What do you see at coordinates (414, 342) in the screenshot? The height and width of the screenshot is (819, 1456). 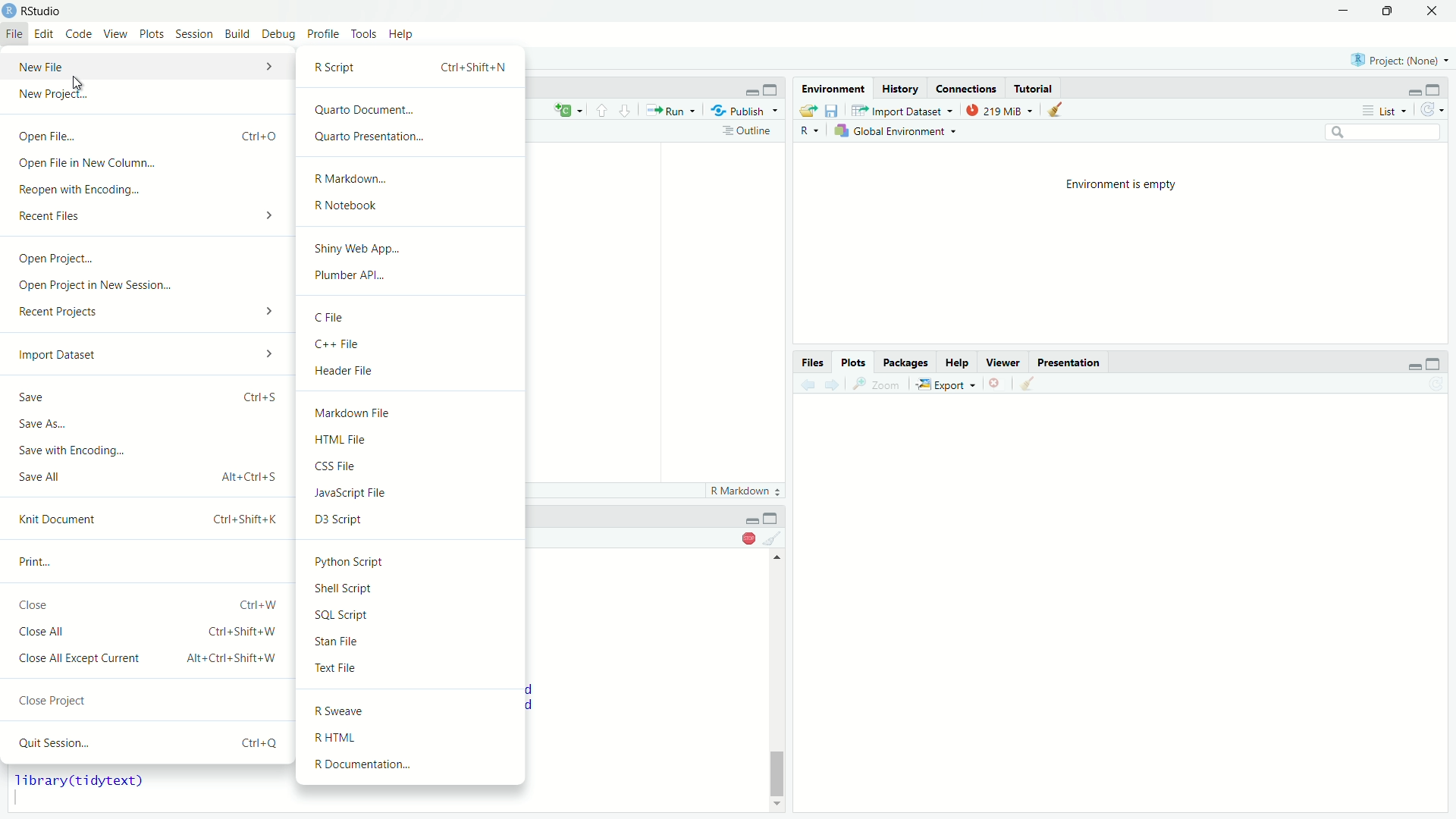 I see `C++ File` at bounding box center [414, 342].